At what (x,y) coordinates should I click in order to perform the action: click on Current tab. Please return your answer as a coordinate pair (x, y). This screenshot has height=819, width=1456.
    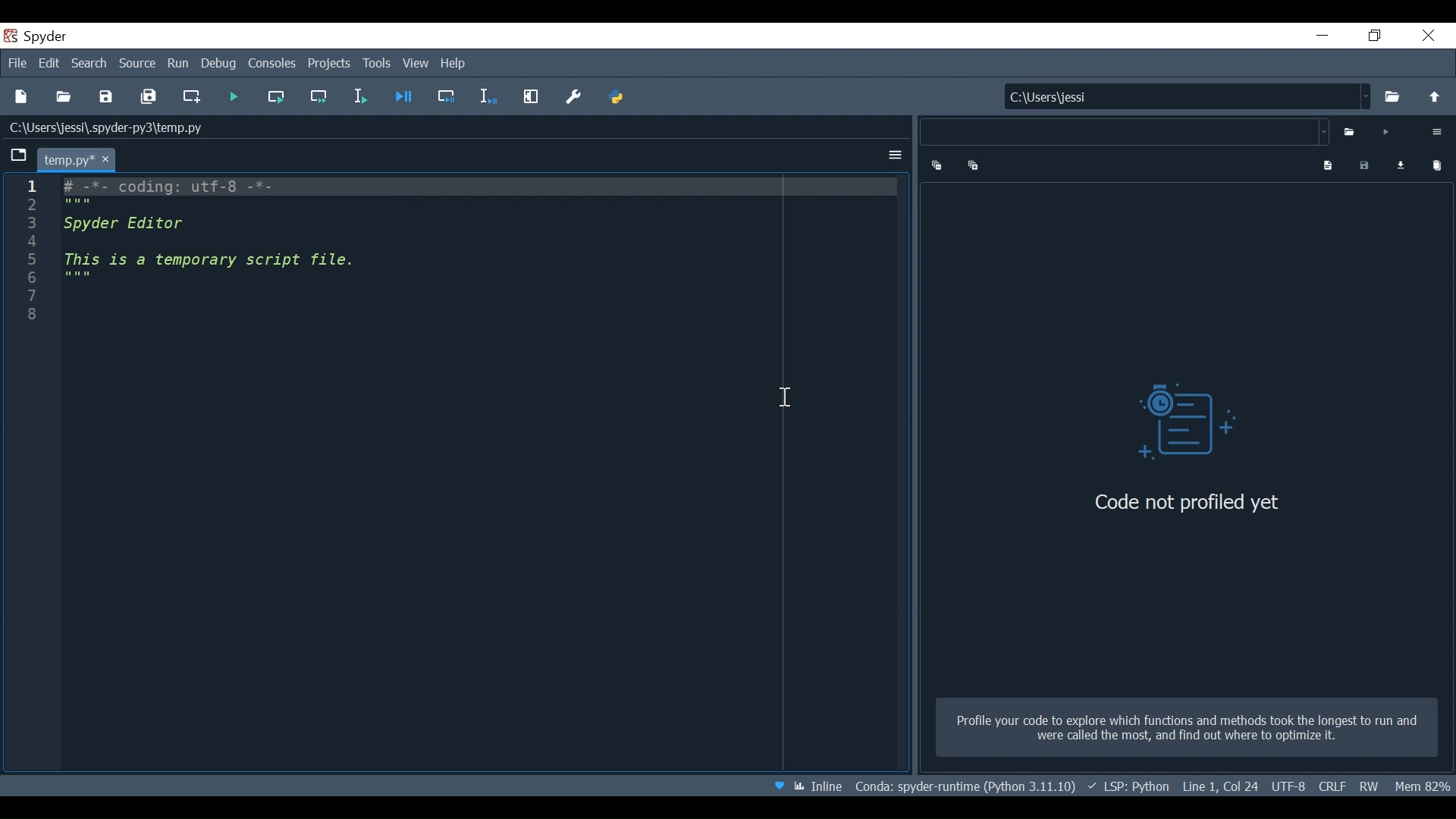
    Looking at the image, I should click on (75, 158).